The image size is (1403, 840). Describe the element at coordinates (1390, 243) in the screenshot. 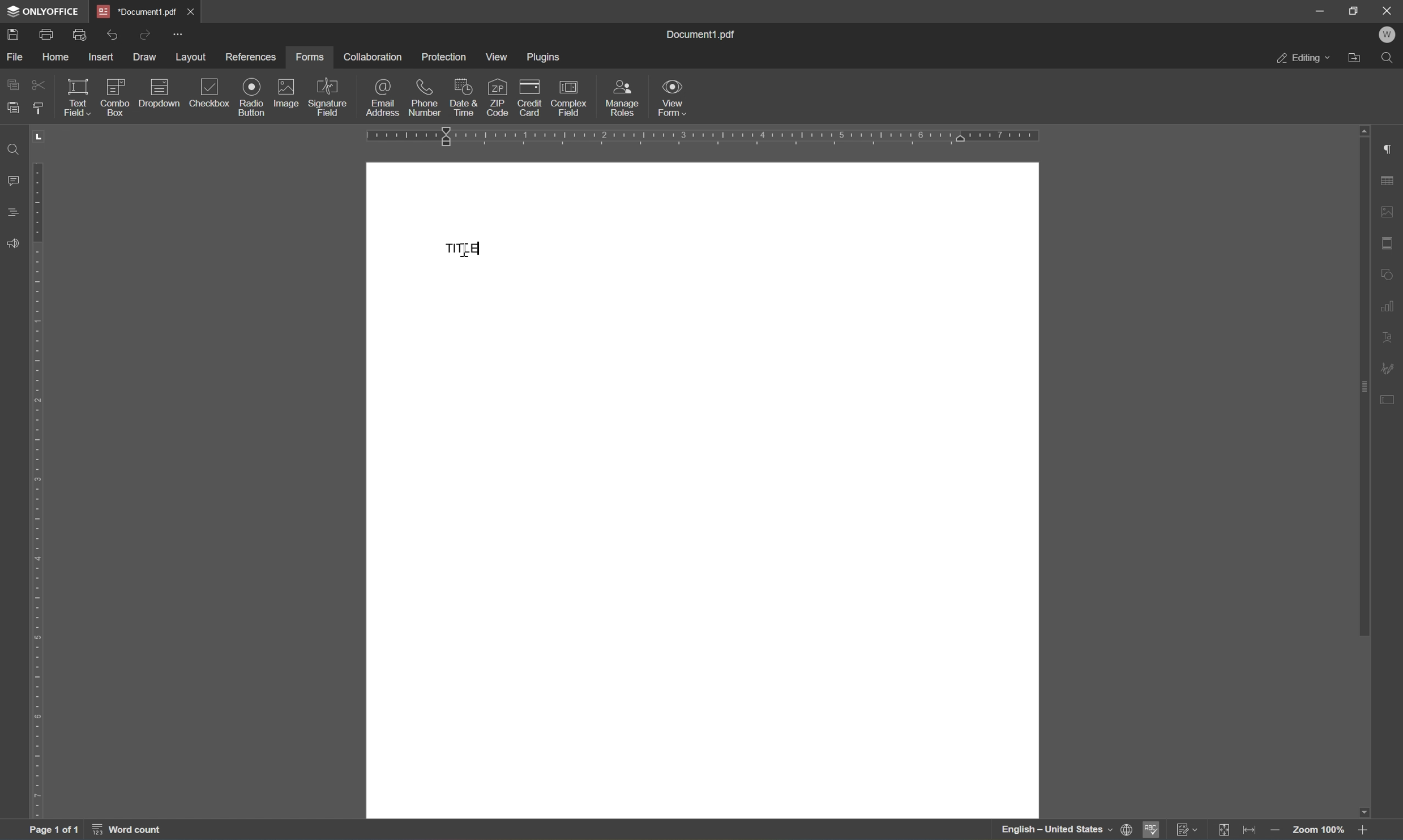

I see `header & footer settings` at that location.